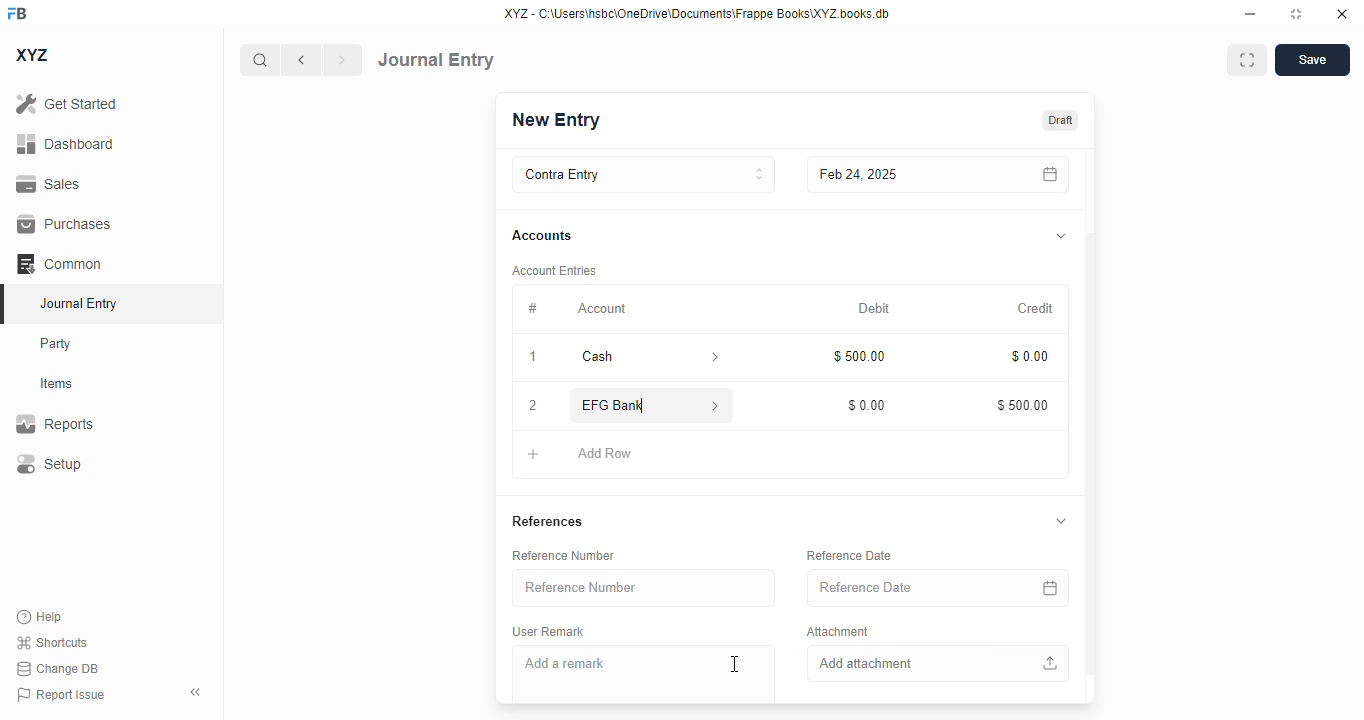 The width and height of the screenshot is (1364, 720). What do you see at coordinates (643, 175) in the screenshot?
I see `contra entry ` at bounding box center [643, 175].